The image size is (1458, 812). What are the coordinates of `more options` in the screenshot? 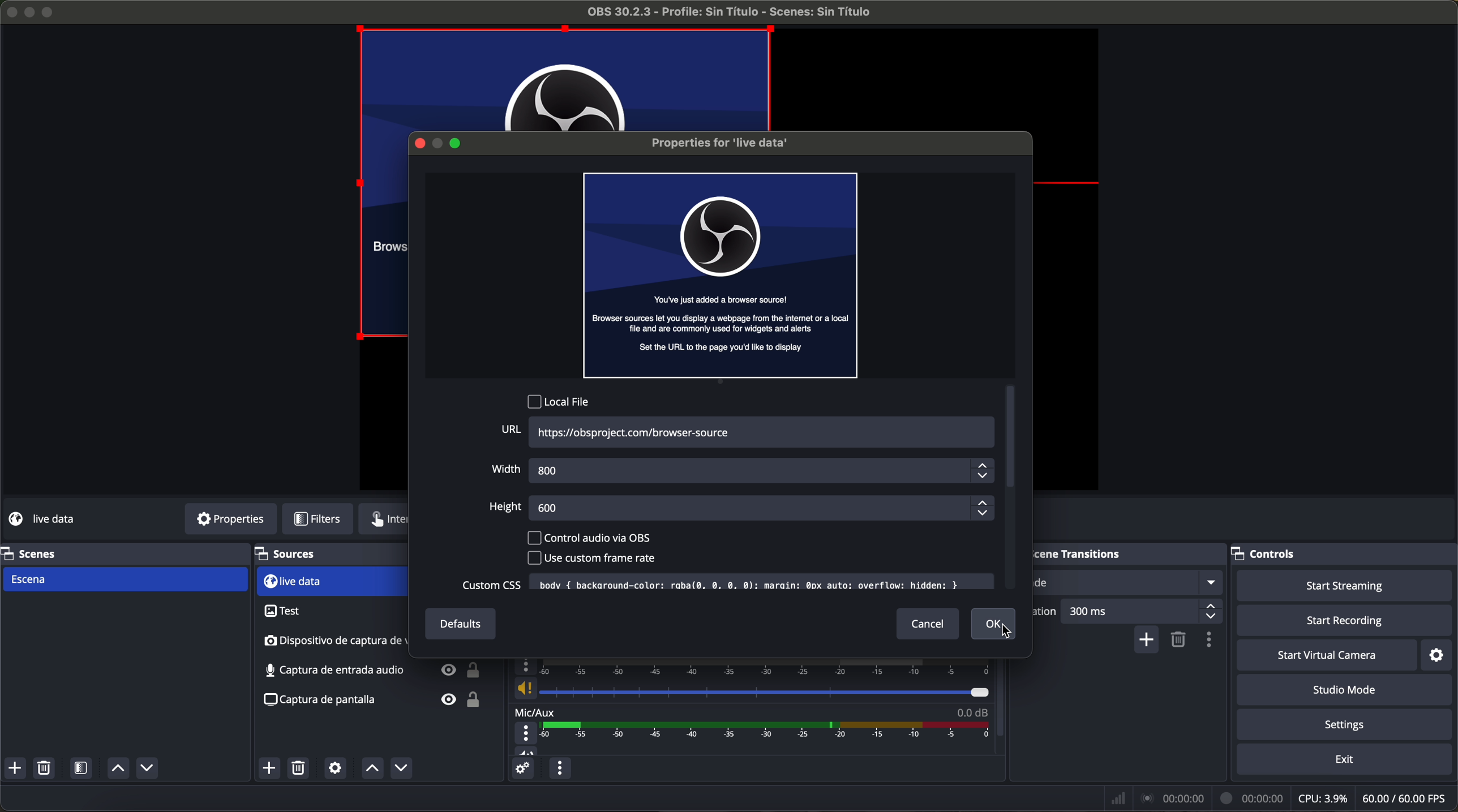 It's located at (524, 664).